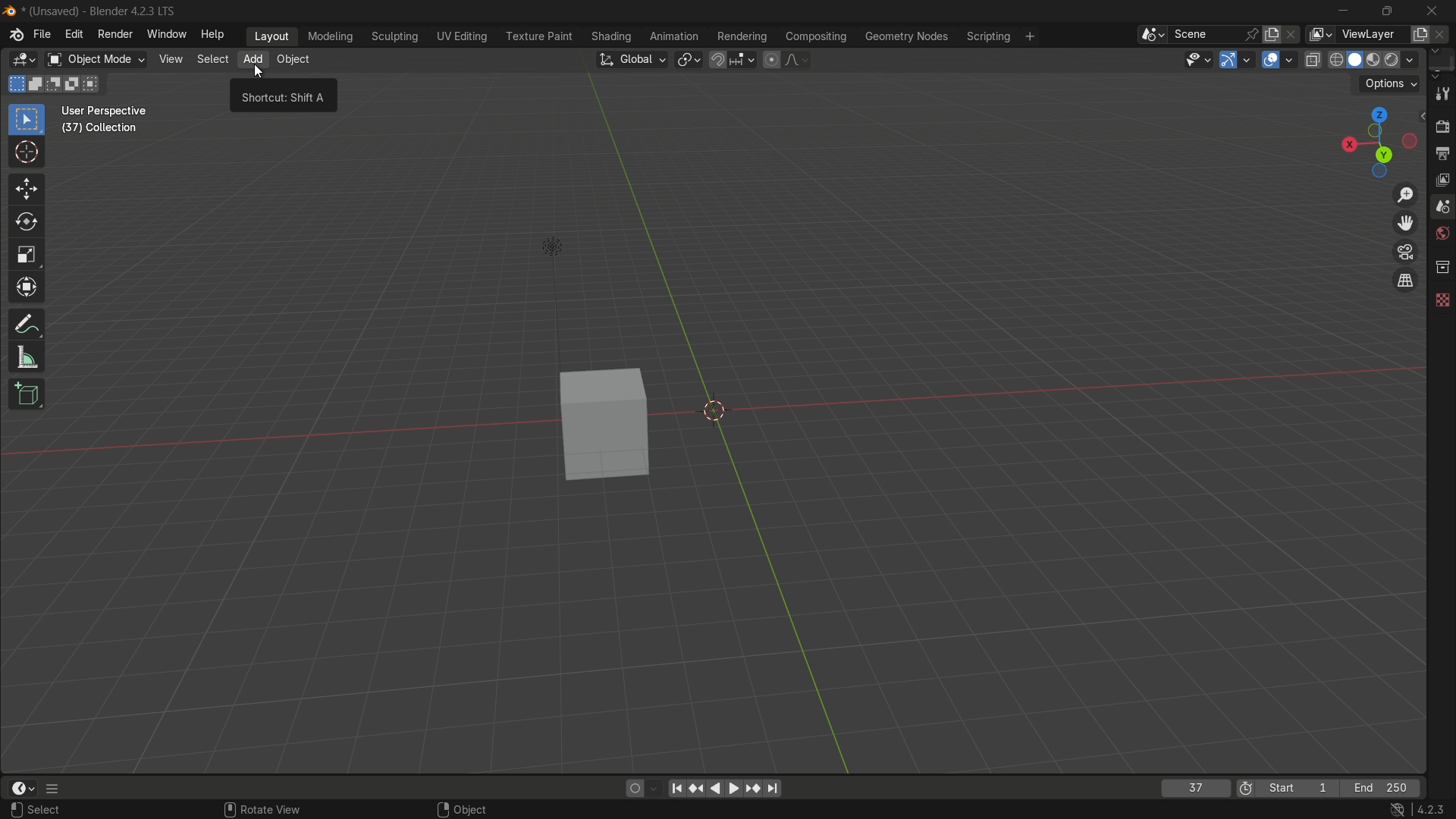  What do you see at coordinates (1244, 787) in the screenshot?
I see `use preview range` at bounding box center [1244, 787].